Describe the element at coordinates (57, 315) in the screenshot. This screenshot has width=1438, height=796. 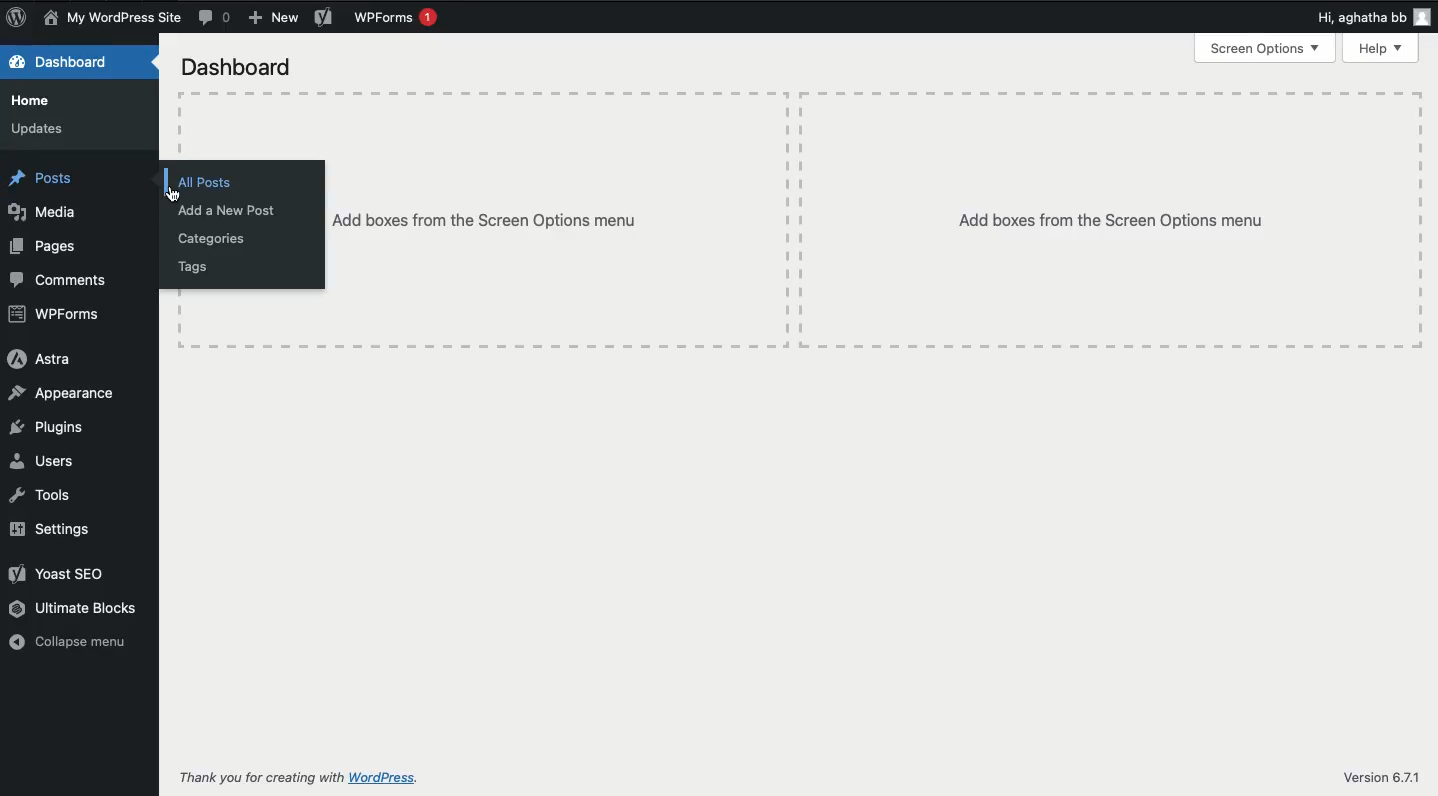
I see `WPForm` at that location.